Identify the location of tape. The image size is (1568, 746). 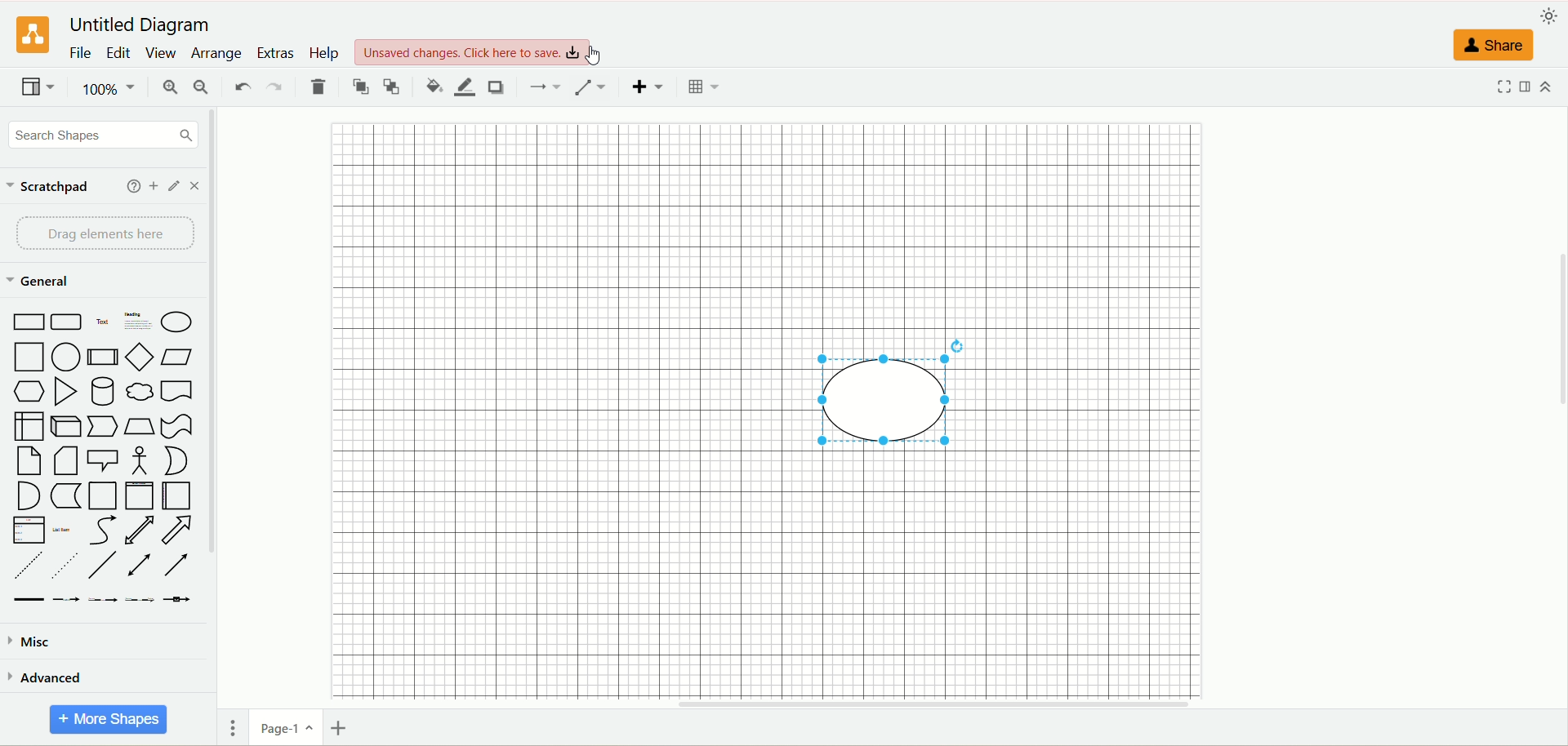
(176, 424).